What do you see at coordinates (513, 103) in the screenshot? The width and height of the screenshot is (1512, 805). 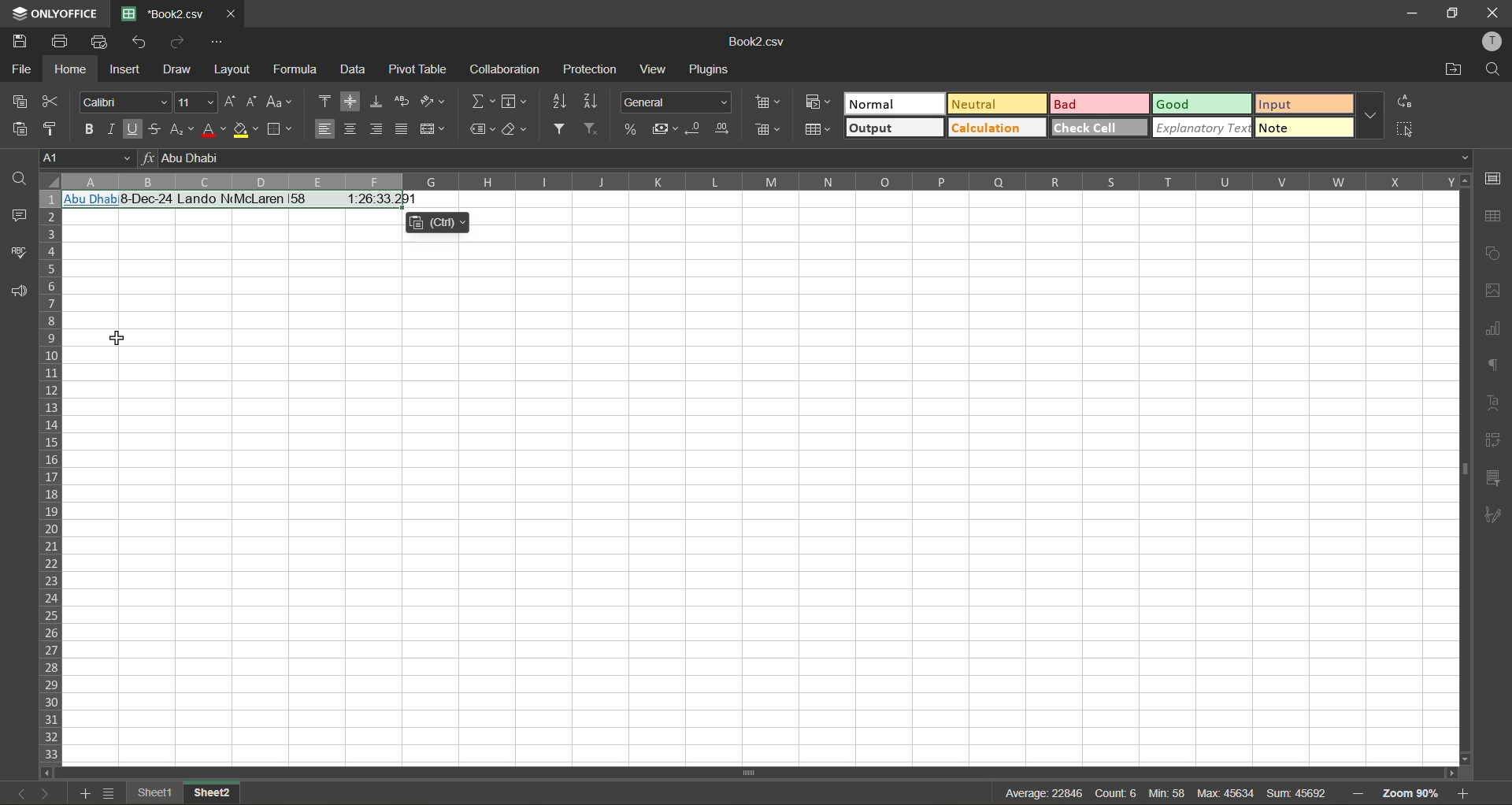 I see `field` at bounding box center [513, 103].